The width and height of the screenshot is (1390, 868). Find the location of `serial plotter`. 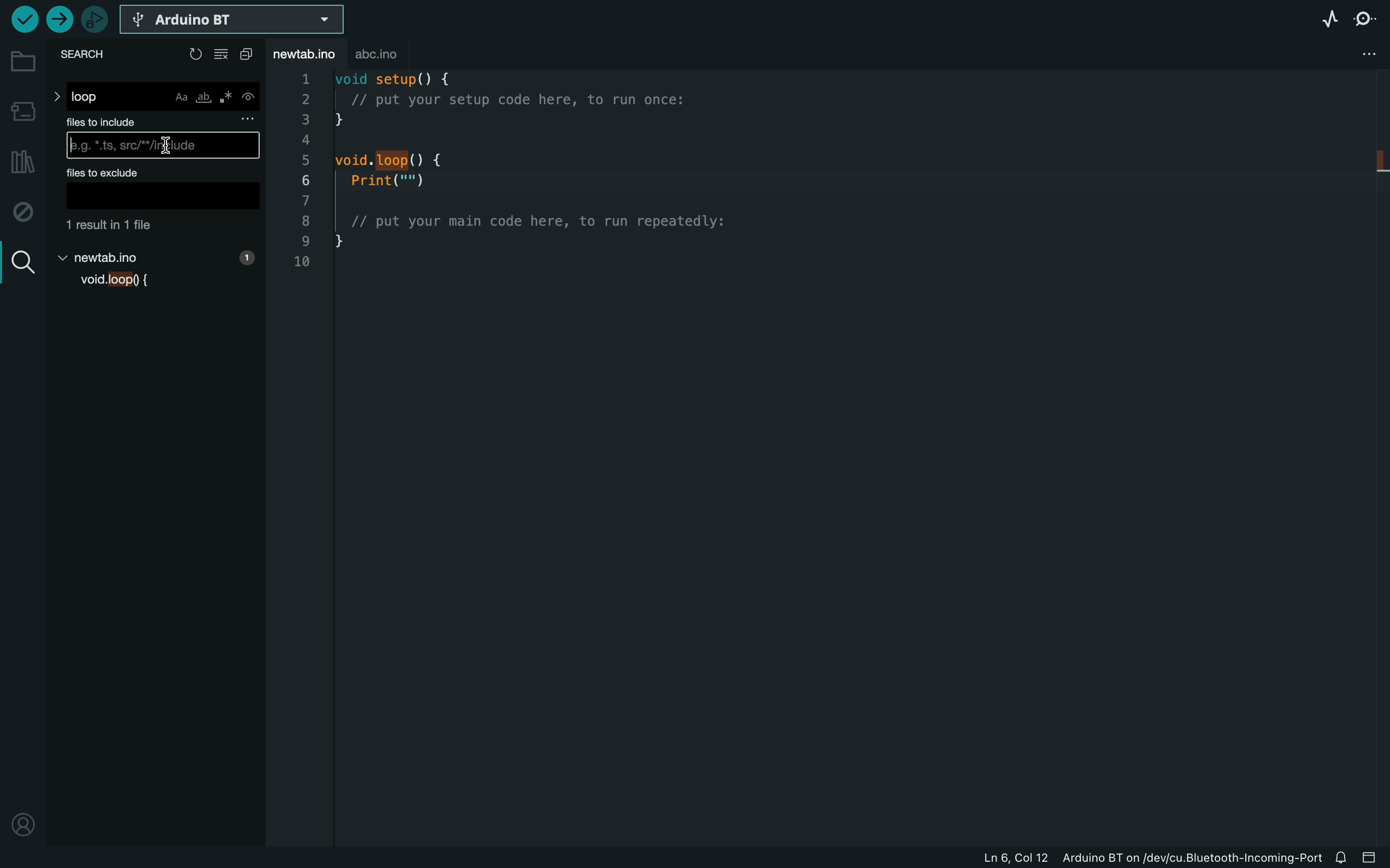

serial plotter is located at coordinates (1327, 21).